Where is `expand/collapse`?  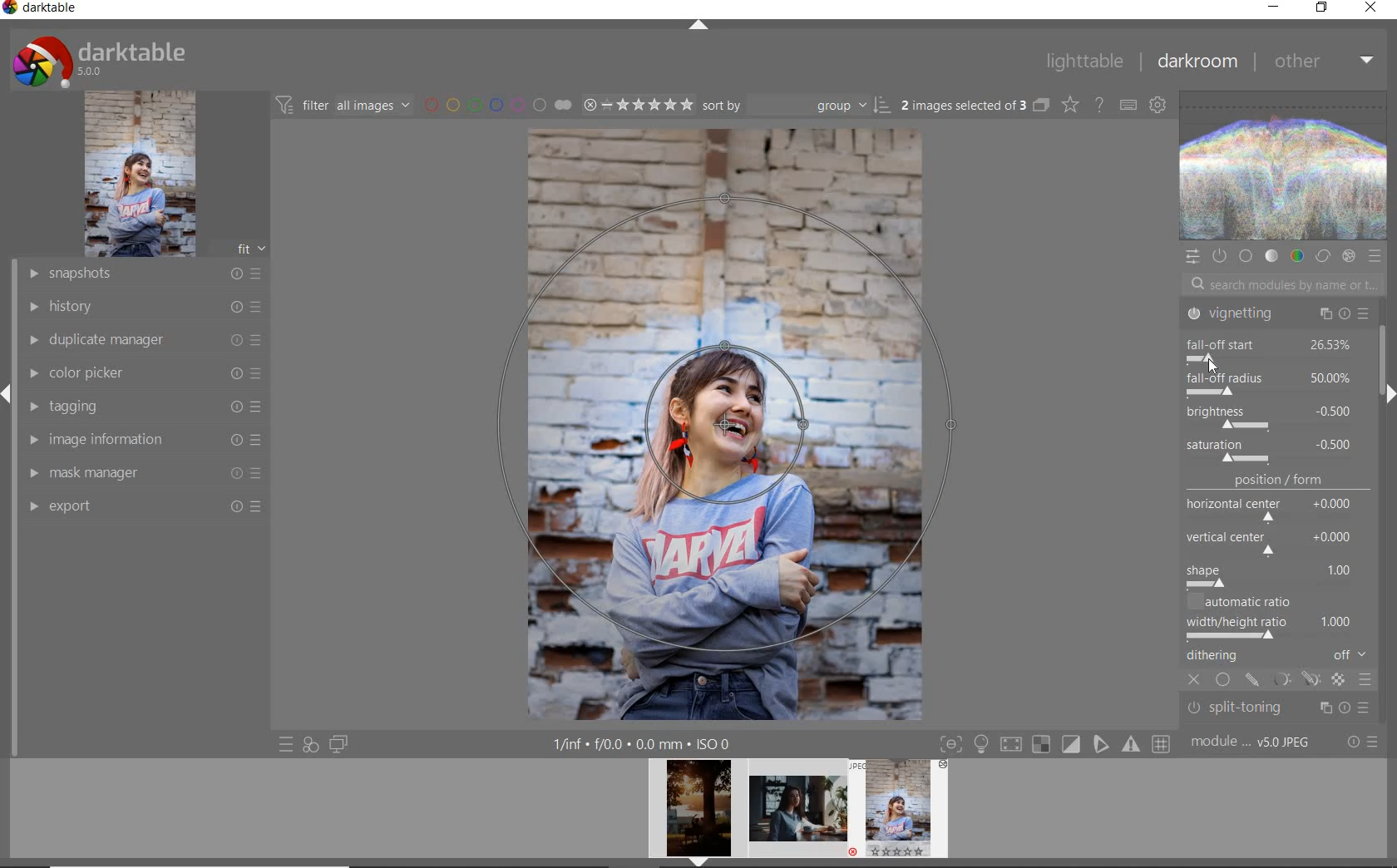
expand/collapse is located at coordinates (698, 27).